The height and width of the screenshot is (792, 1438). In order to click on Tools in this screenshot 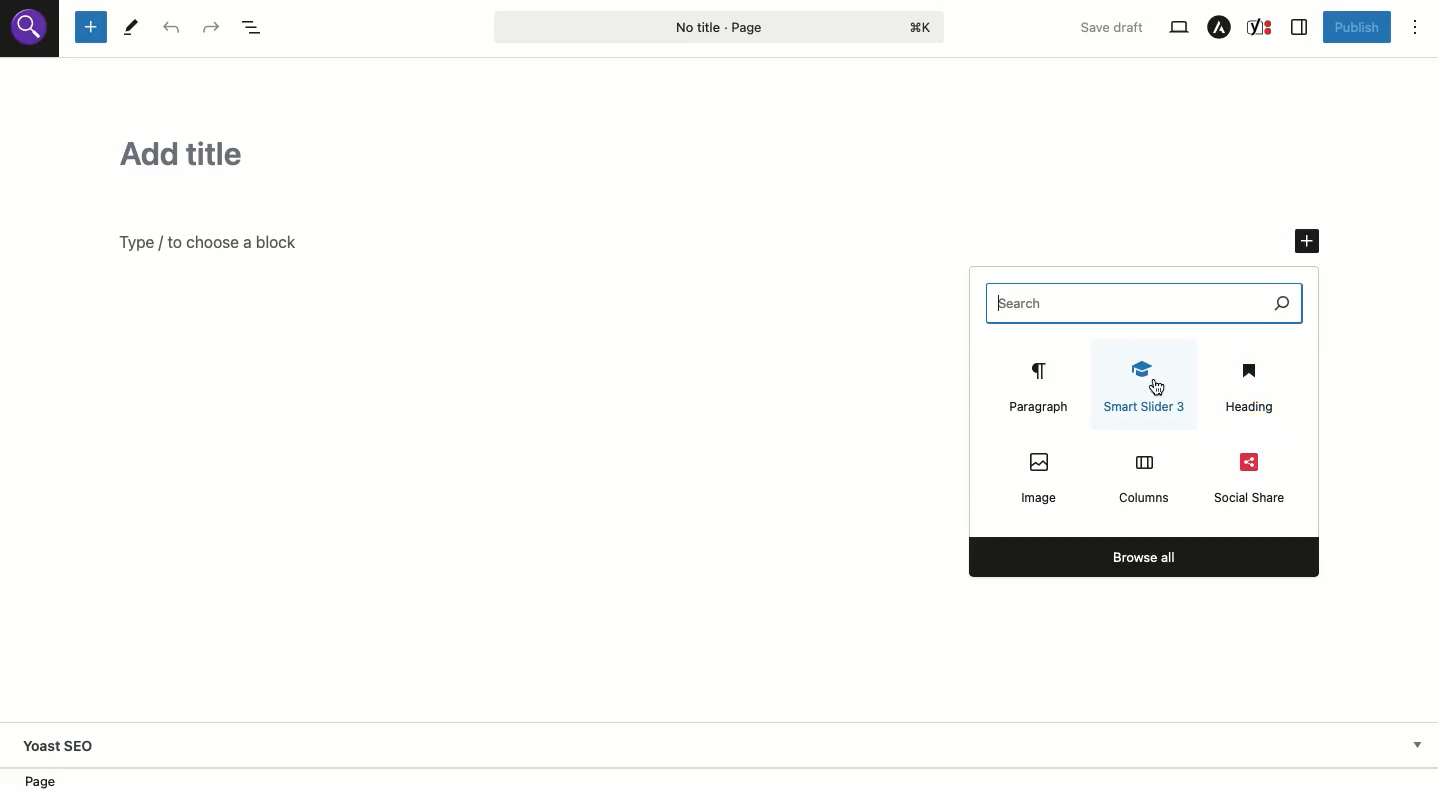, I will do `click(132, 27)`.